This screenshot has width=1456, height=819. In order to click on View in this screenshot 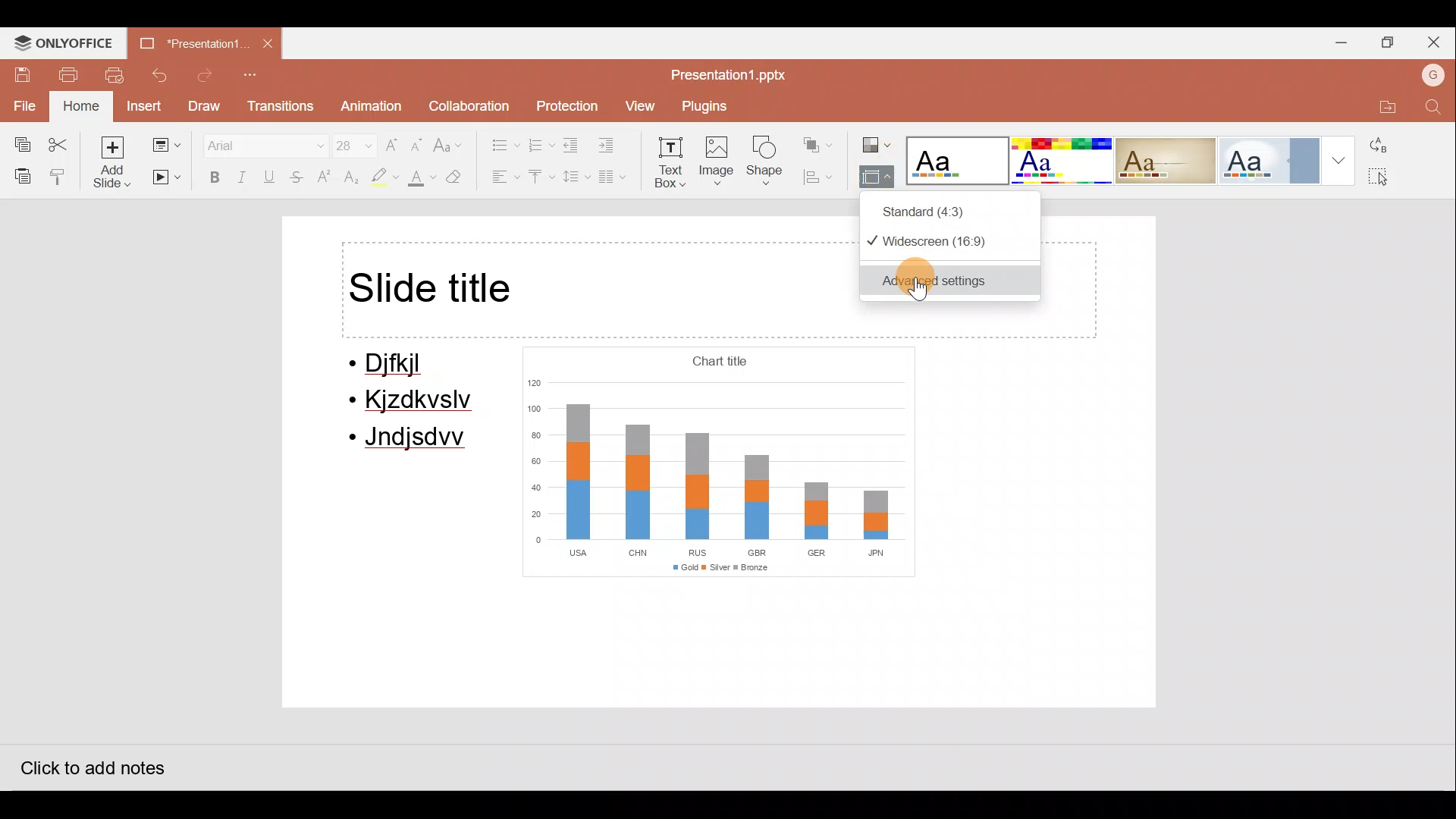, I will do `click(639, 106)`.